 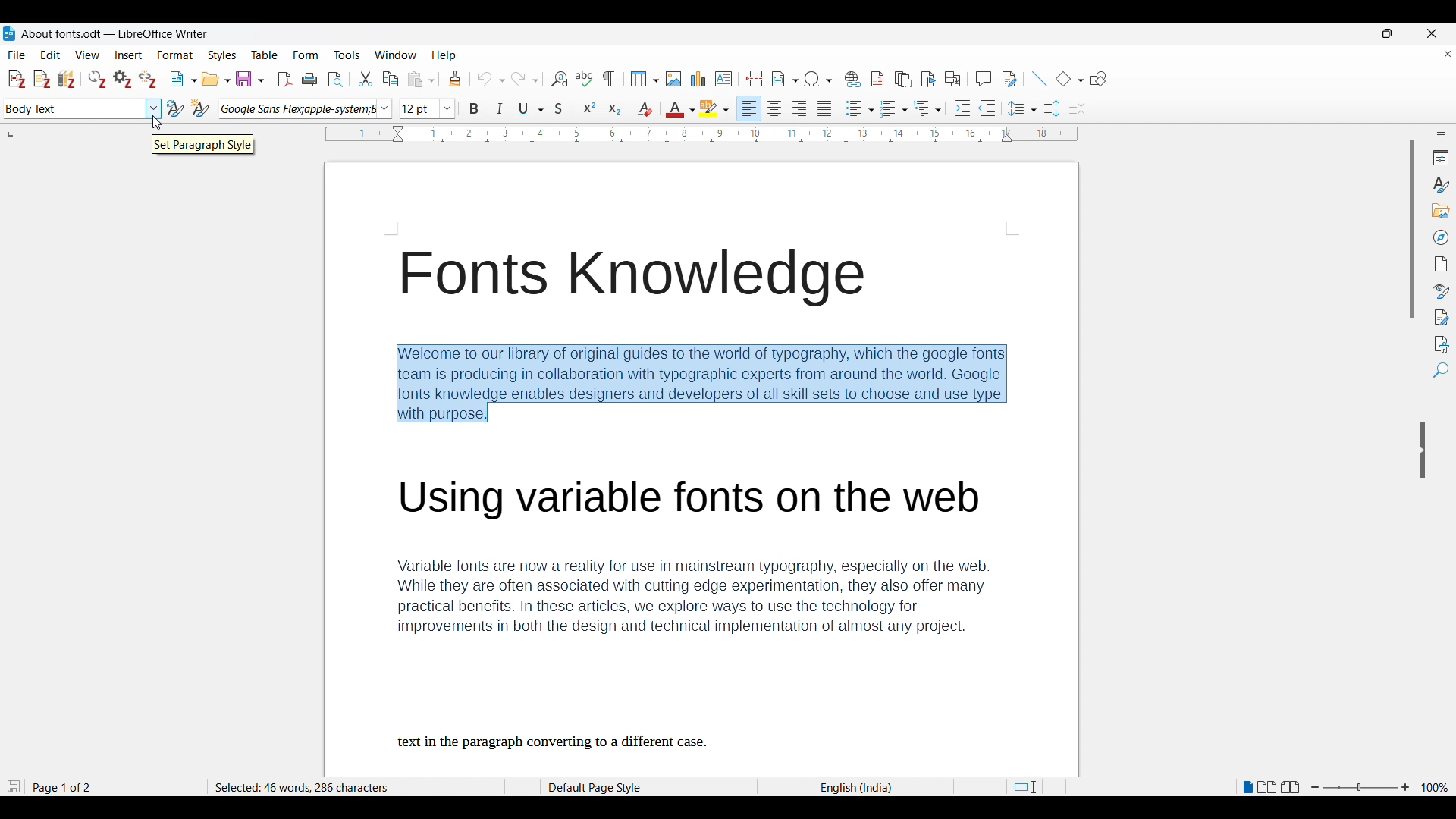 I want to click on Find and replace, so click(x=560, y=80).